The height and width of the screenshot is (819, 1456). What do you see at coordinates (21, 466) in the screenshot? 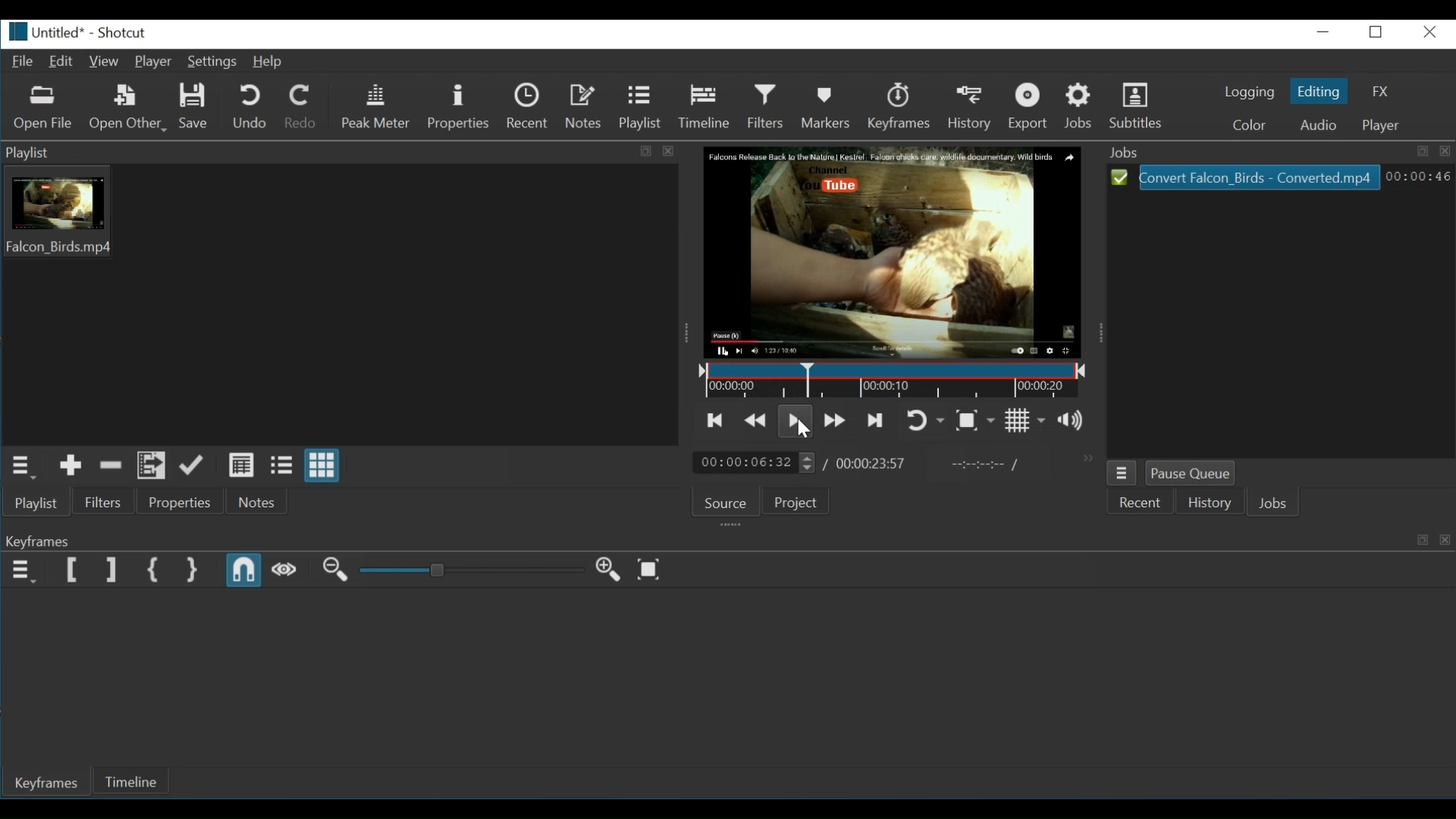
I see `Playlist menu` at bounding box center [21, 466].